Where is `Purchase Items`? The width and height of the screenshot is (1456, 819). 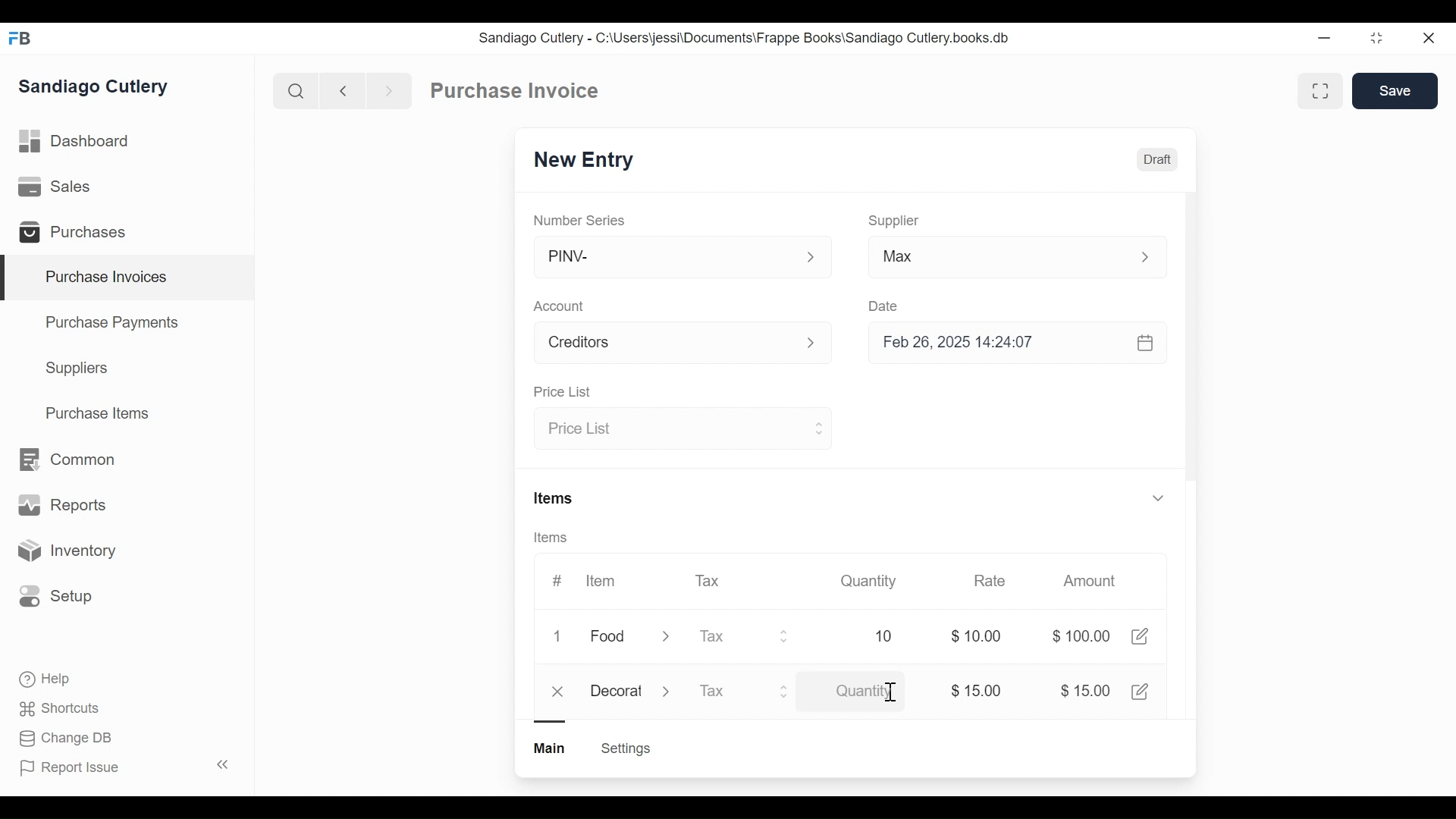 Purchase Items is located at coordinates (98, 415).